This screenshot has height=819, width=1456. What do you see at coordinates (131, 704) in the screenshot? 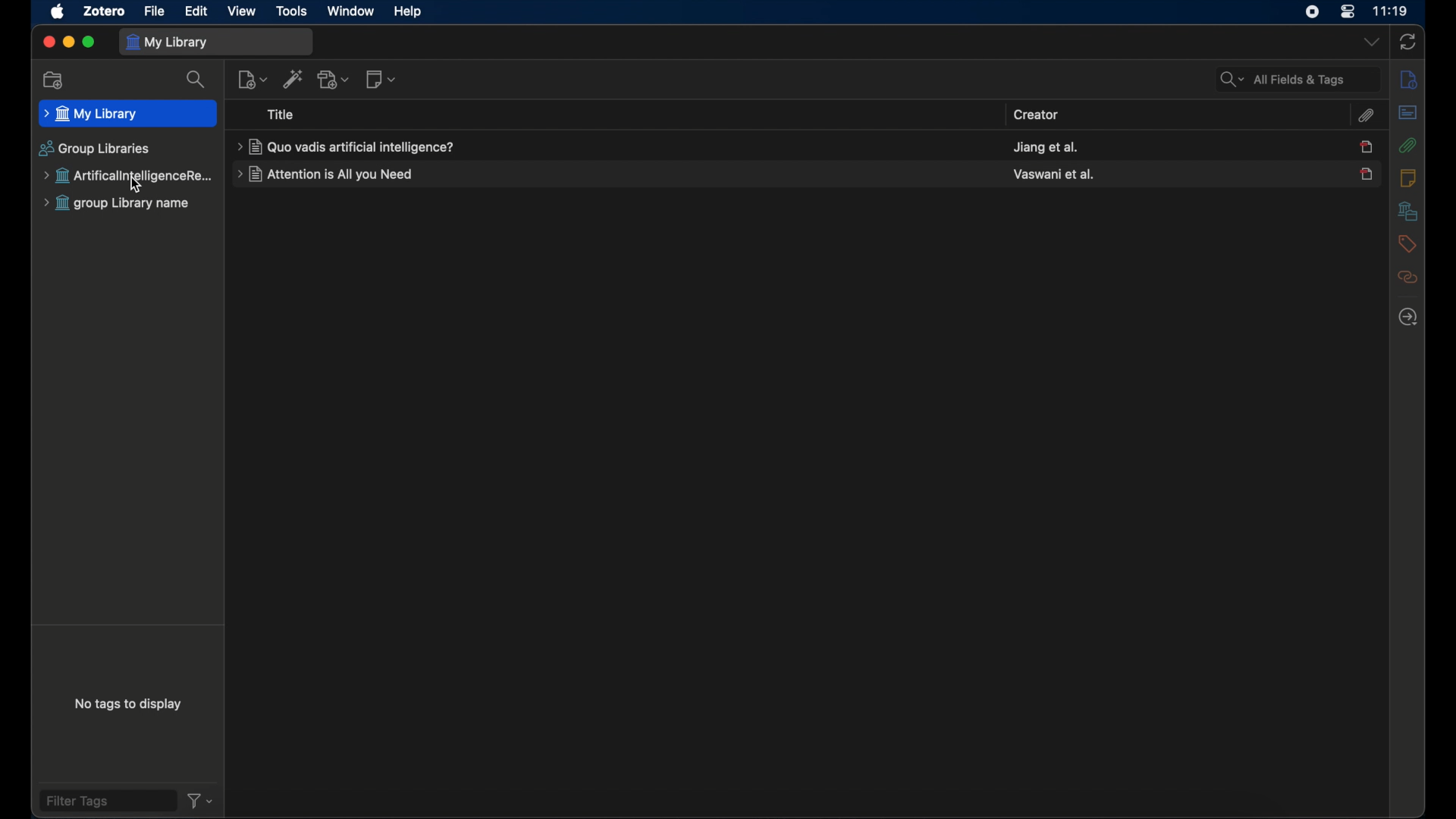
I see `no tags to display` at bounding box center [131, 704].